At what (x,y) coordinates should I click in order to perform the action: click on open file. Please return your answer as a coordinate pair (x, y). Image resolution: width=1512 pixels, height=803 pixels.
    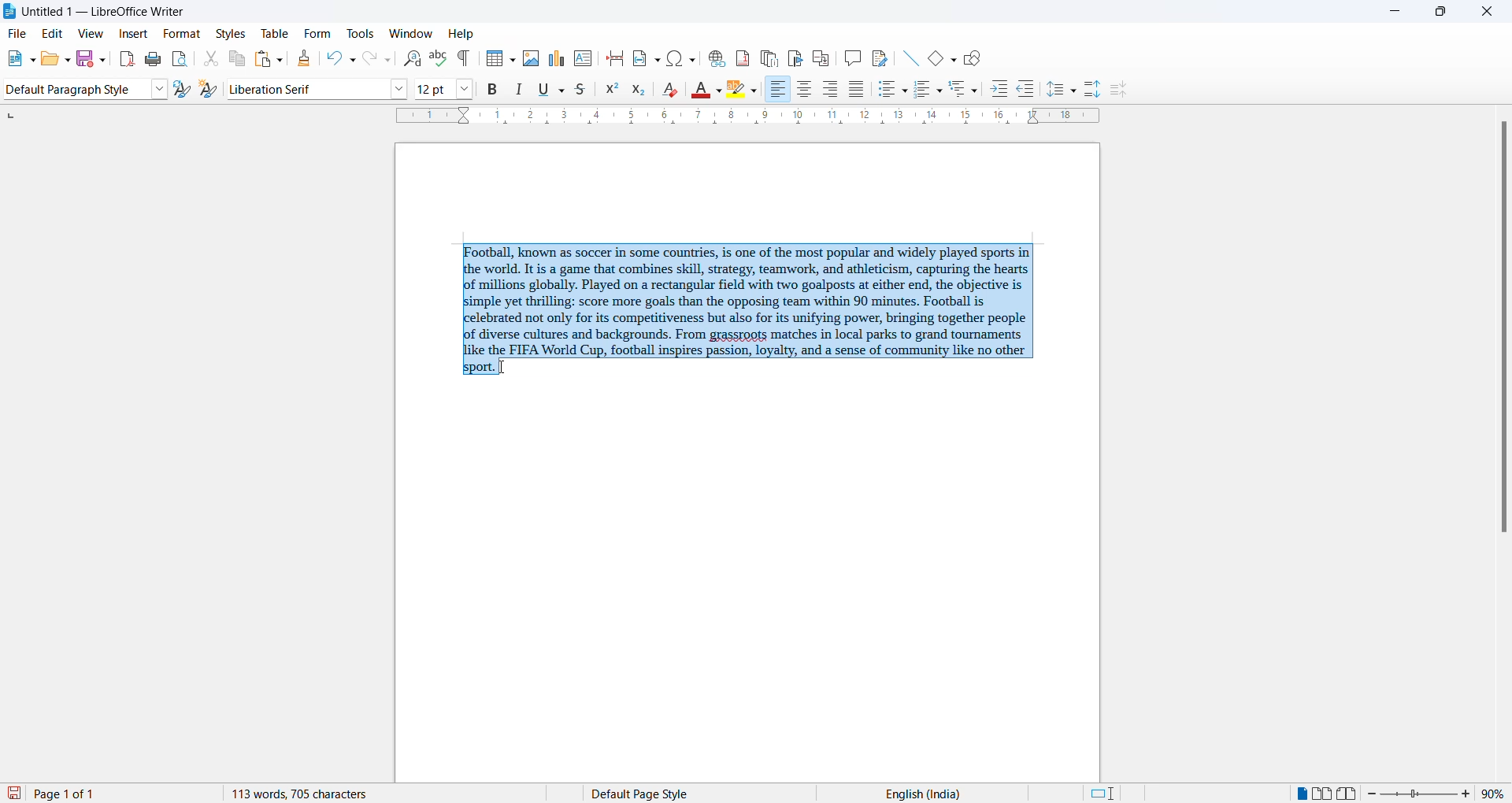
    Looking at the image, I should click on (46, 60).